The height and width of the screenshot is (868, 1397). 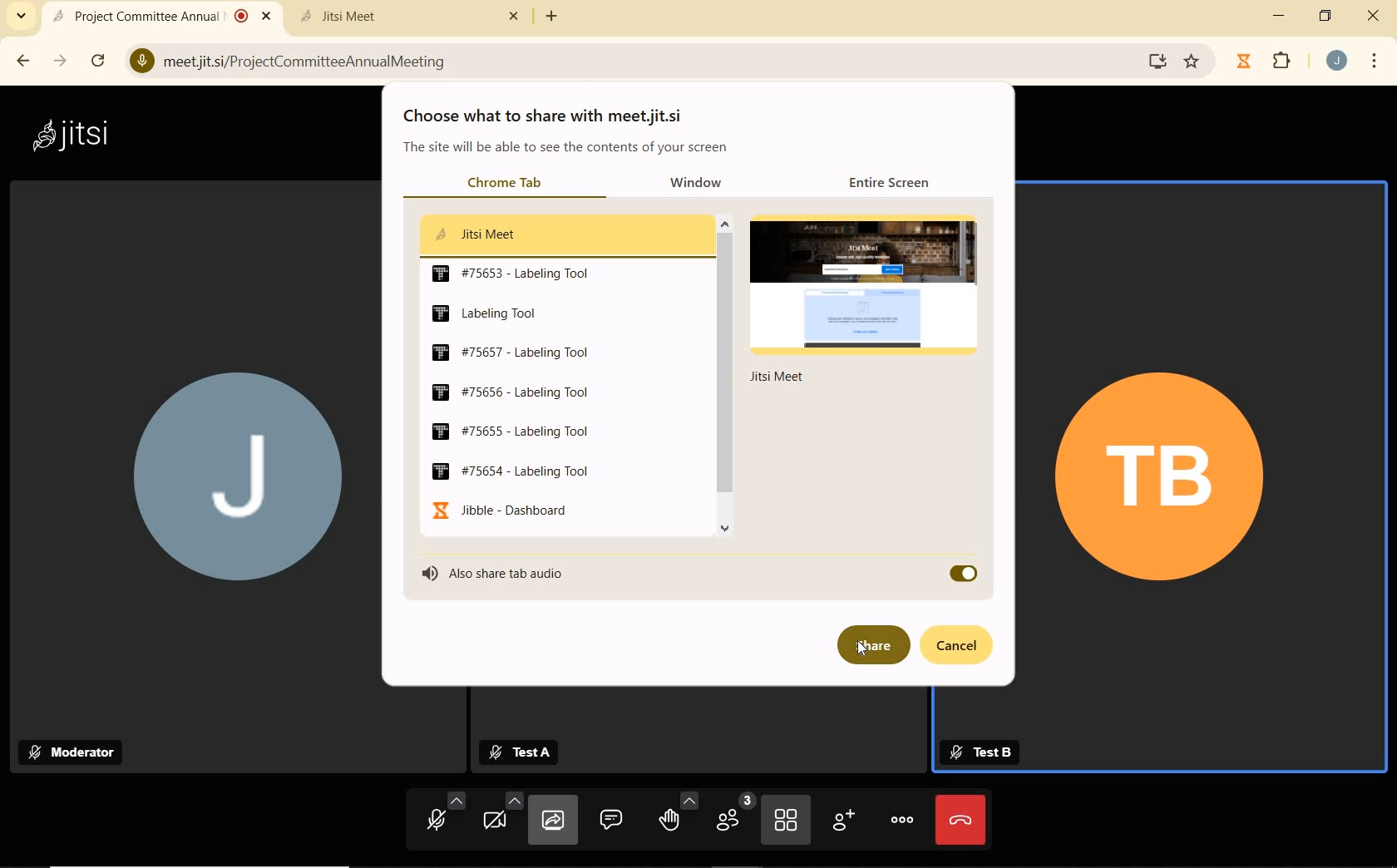 What do you see at coordinates (437, 818) in the screenshot?
I see `MICROPHONE` at bounding box center [437, 818].